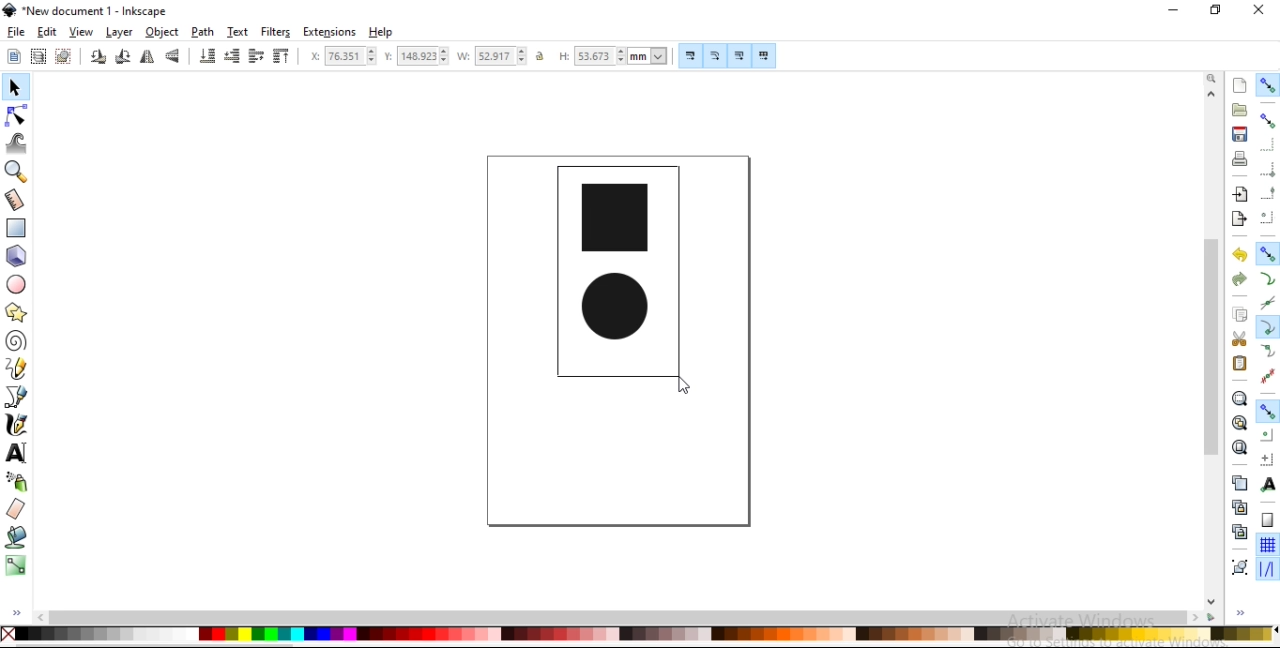 This screenshot has height=648, width=1280. I want to click on move gradients along with objects, so click(738, 56).